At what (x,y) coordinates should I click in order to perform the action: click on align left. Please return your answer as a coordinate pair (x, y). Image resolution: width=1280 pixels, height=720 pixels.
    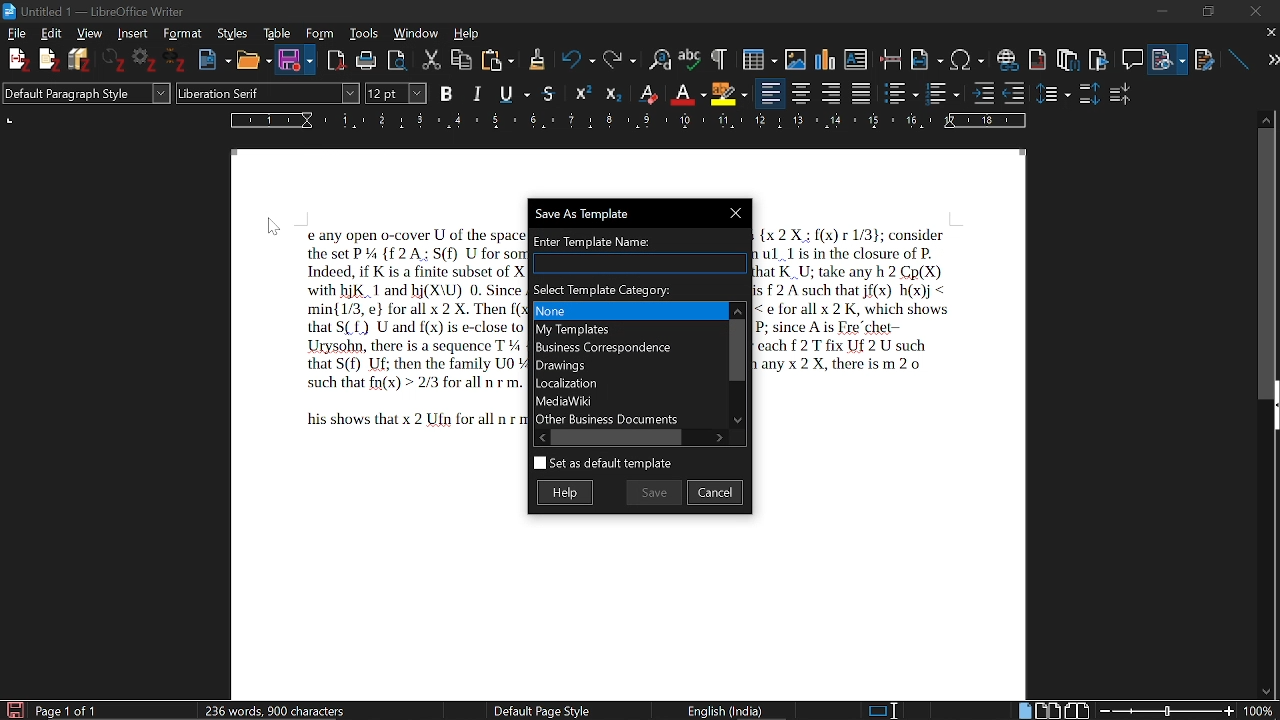
    Looking at the image, I should click on (771, 92).